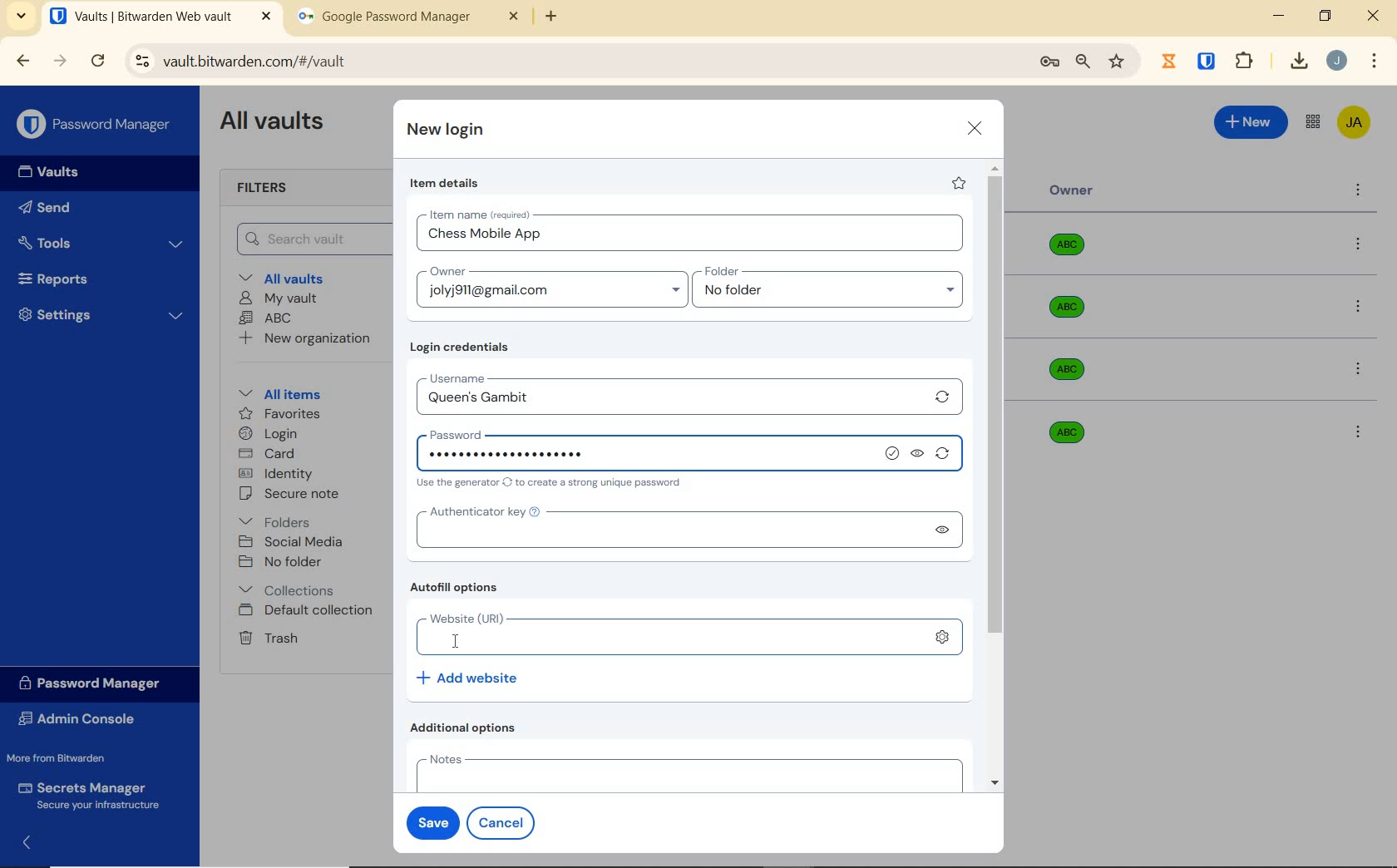 The height and width of the screenshot is (868, 1397). Describe the element at coordinates (96, 126) in the screenshot. I see `Password Manager` at that location.